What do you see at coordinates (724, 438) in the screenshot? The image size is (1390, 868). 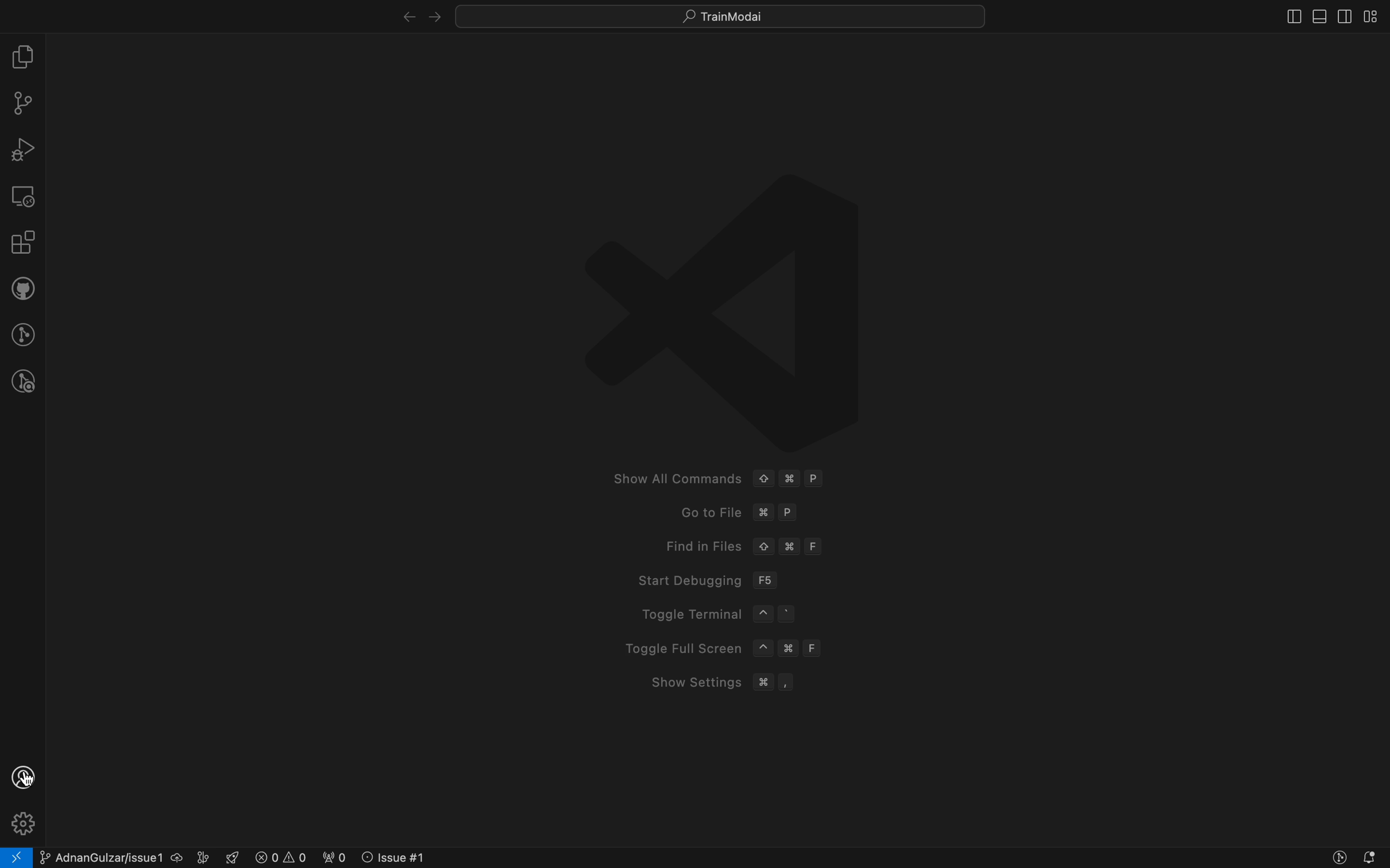 I see `welcome screen` at bounding box center [724, 438].